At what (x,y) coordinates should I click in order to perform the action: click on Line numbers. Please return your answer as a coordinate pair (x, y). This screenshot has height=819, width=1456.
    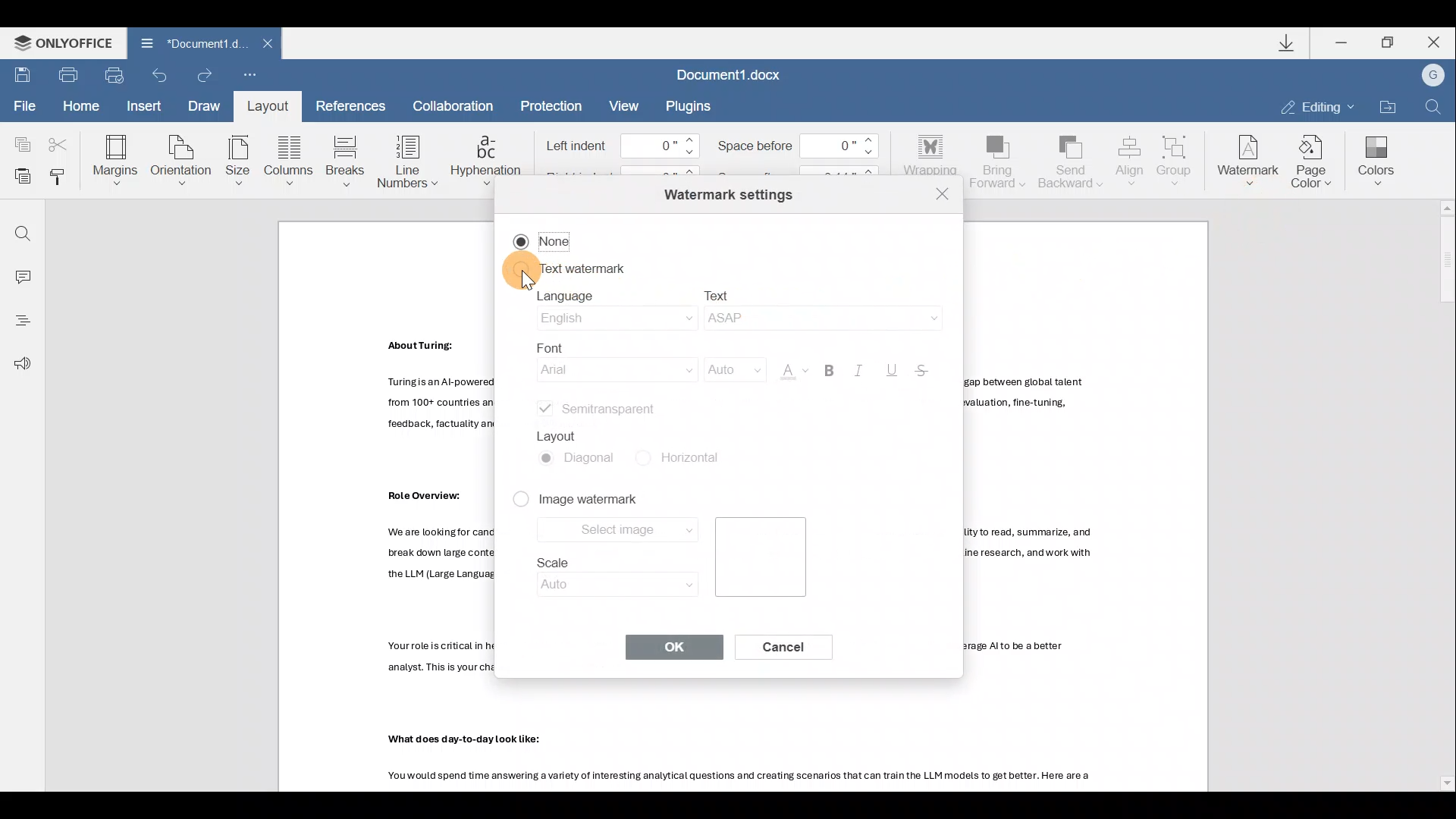
    Looking at the image, I should click on (405, 161).